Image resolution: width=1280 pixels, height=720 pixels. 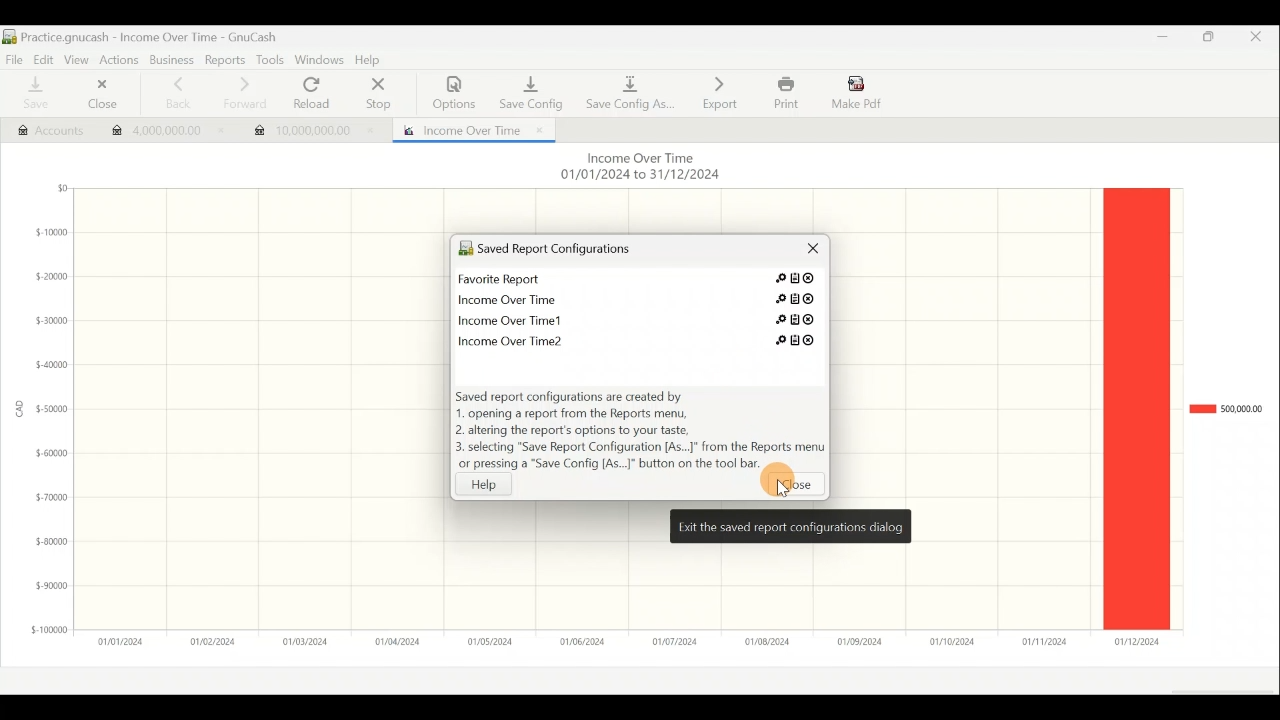 I want to click on Bar, so click(x=1136, y=408).